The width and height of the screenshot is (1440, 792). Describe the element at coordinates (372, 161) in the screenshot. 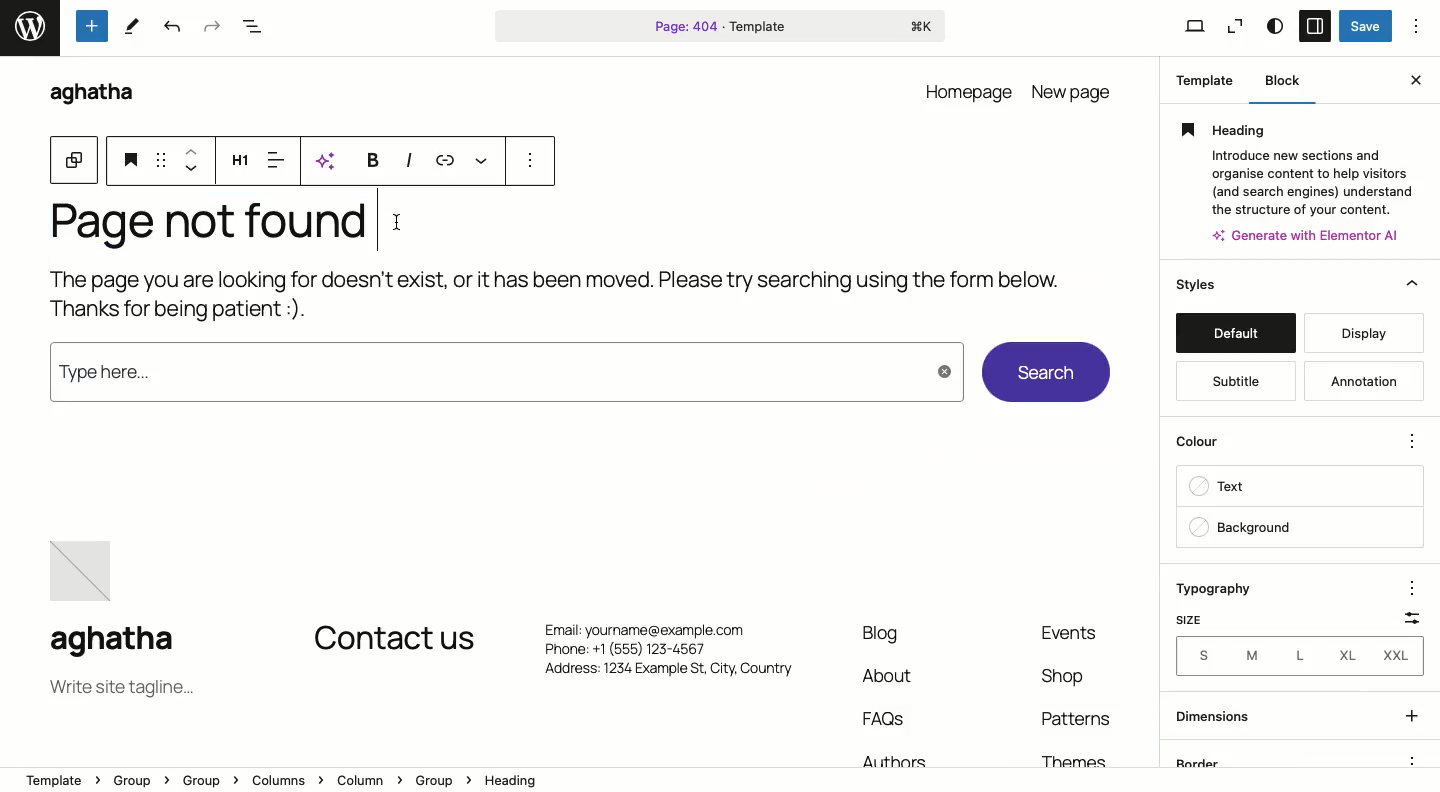

I see `Bold` at that location.